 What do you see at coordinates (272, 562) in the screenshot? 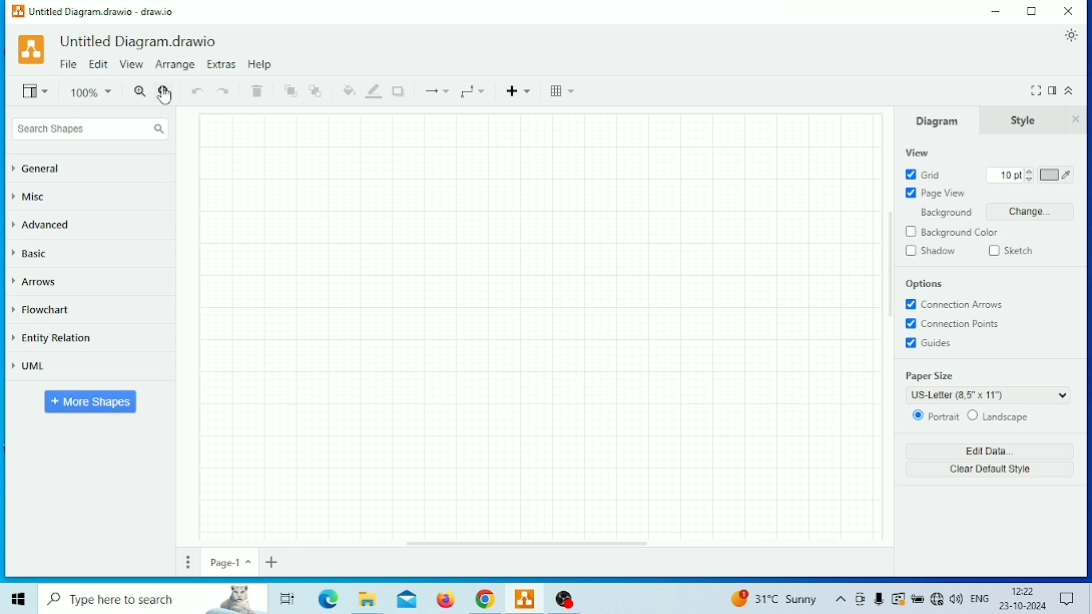
I see `Insert Page` at bounding box center [272, 562].